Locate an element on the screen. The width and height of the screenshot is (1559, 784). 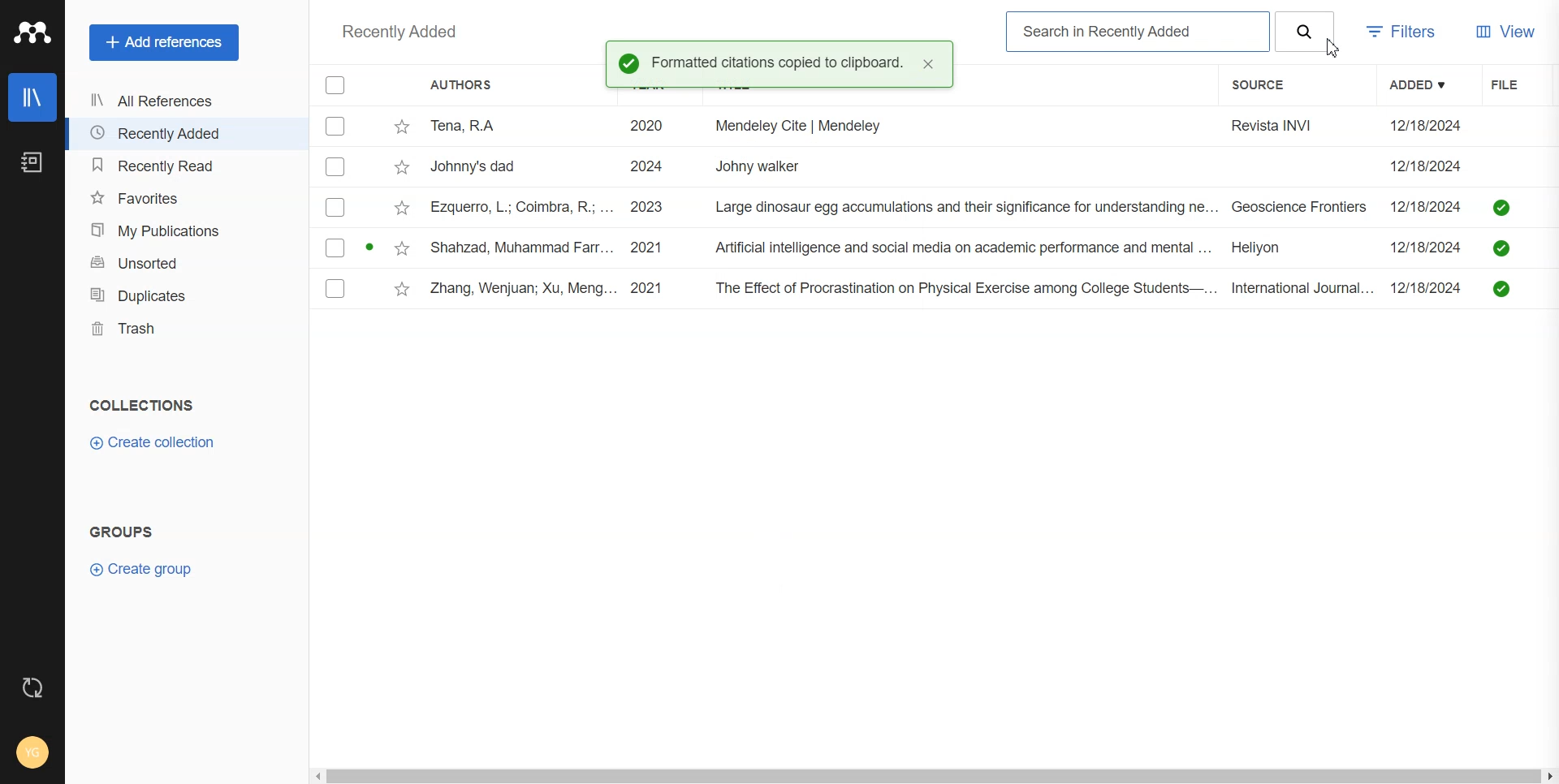
COLLECTIONS is located at coordinates (143, 405).